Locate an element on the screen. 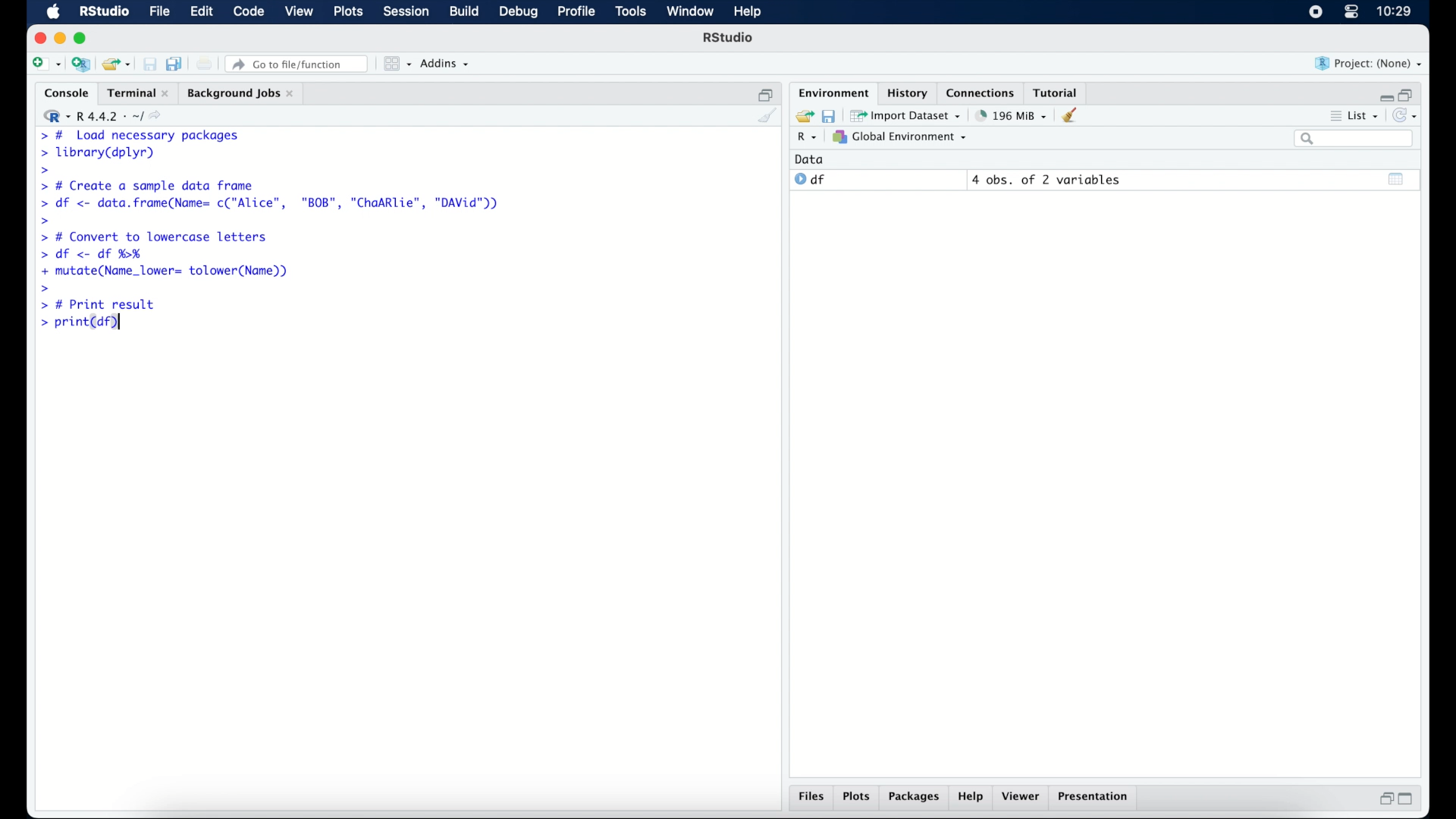  R Studio is located at coordinates (104, 12).